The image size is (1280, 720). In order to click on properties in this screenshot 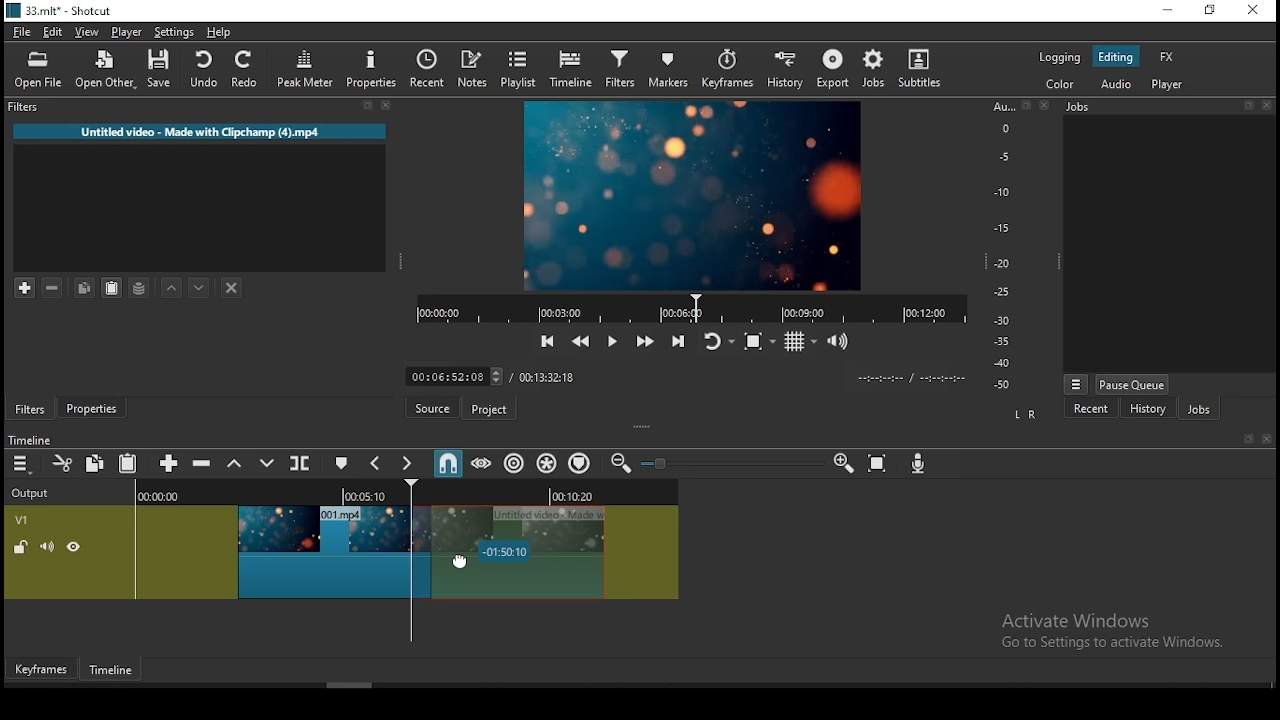, I will do `click(94, 408)`.